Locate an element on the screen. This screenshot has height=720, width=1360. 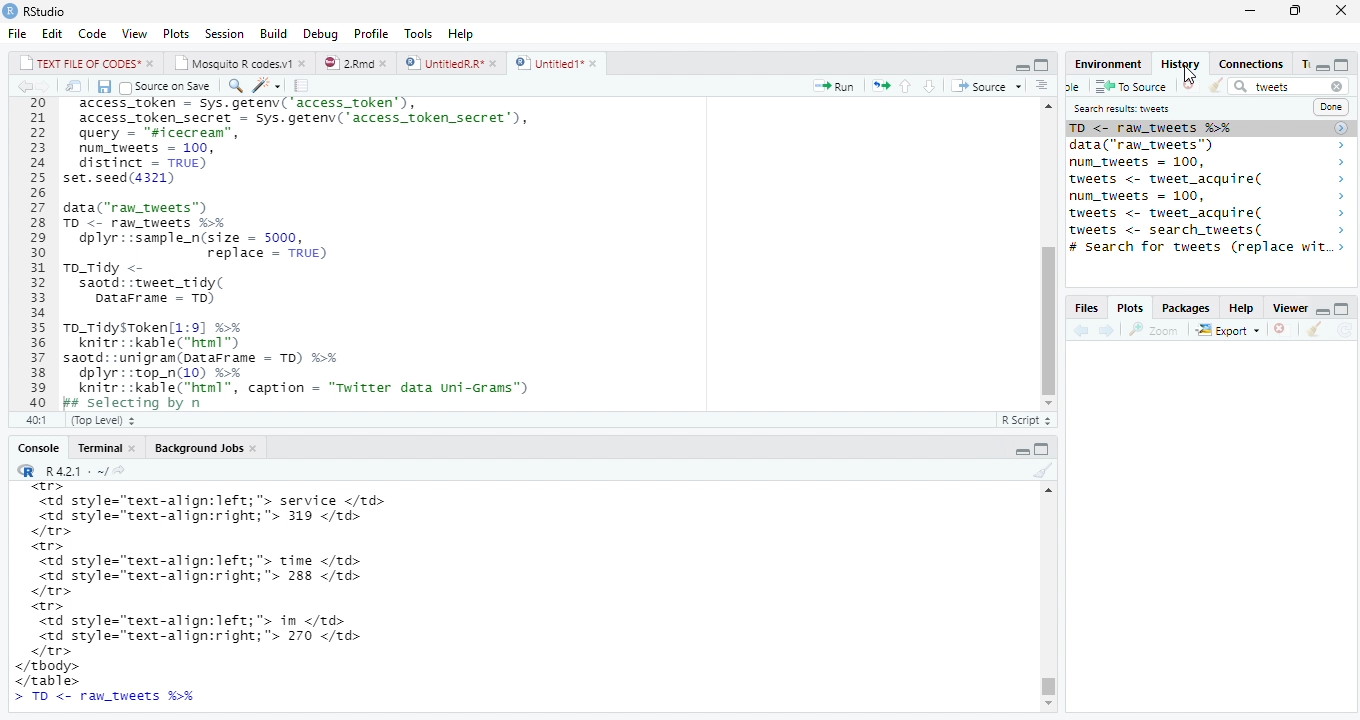
View is located at coordinates (134, 32).